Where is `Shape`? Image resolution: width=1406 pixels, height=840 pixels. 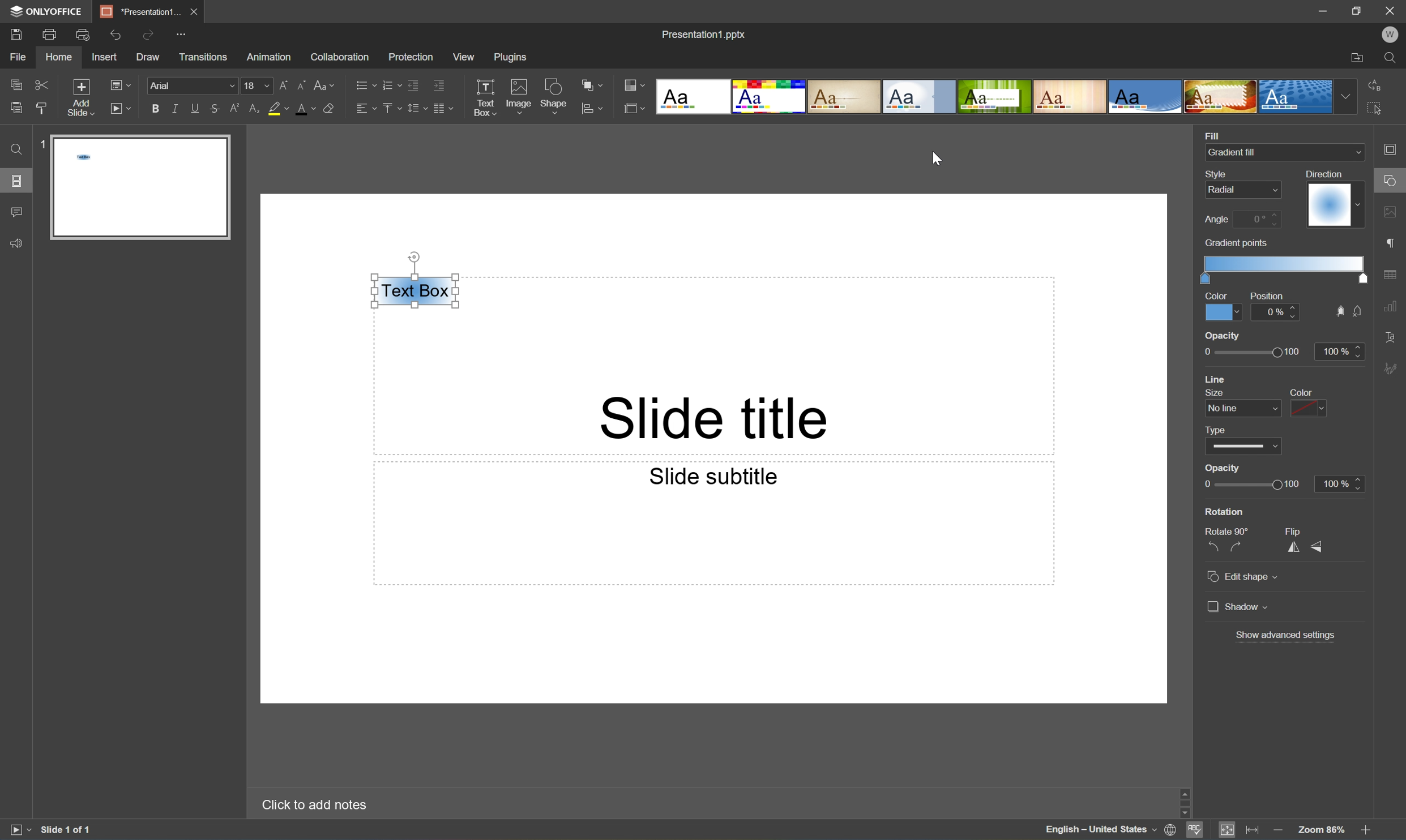
Shape is located at coordinates (553, 96).